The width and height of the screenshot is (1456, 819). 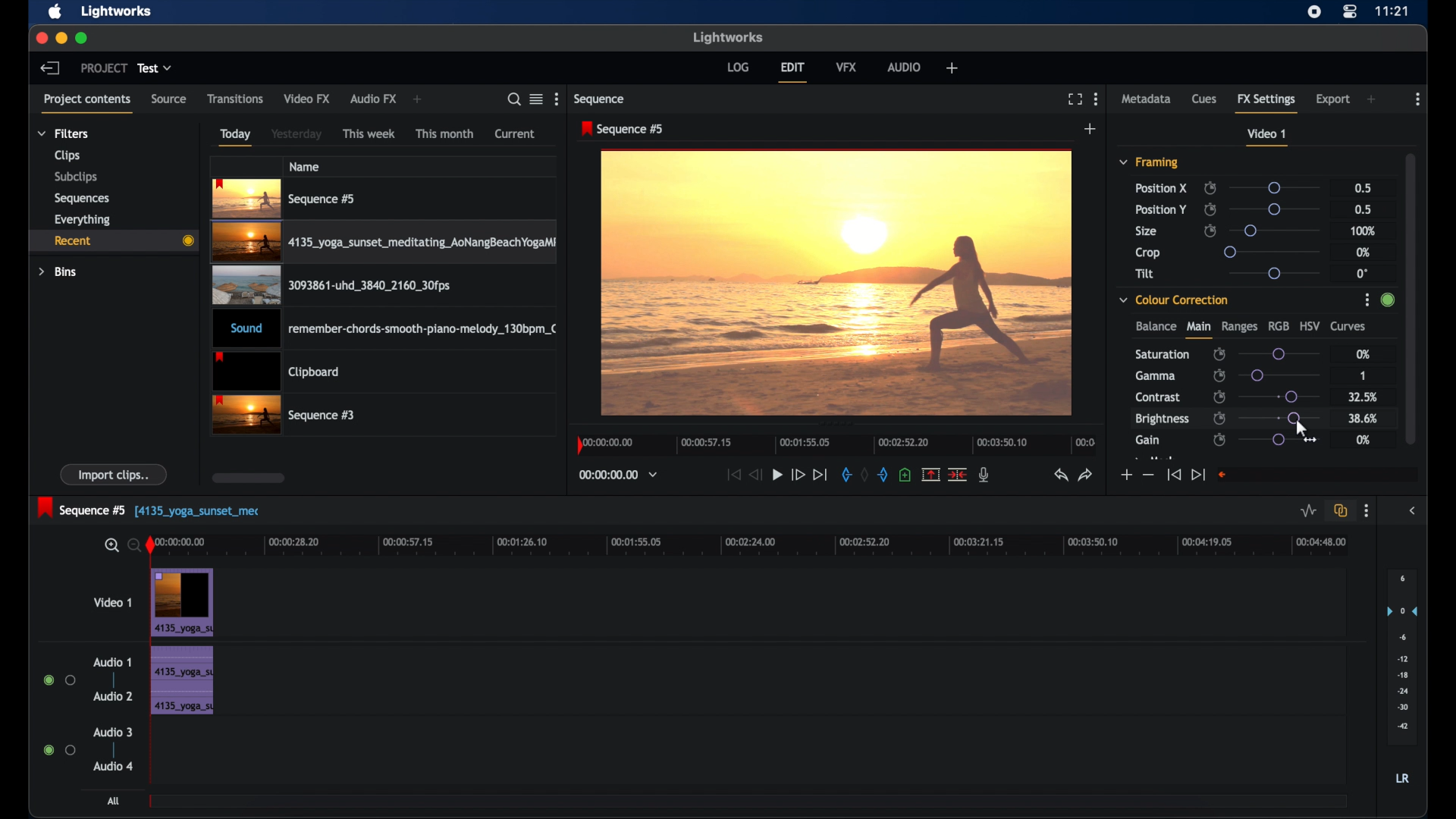 I want to click on toggle audio levels editing, so click(x=1309, y=511).